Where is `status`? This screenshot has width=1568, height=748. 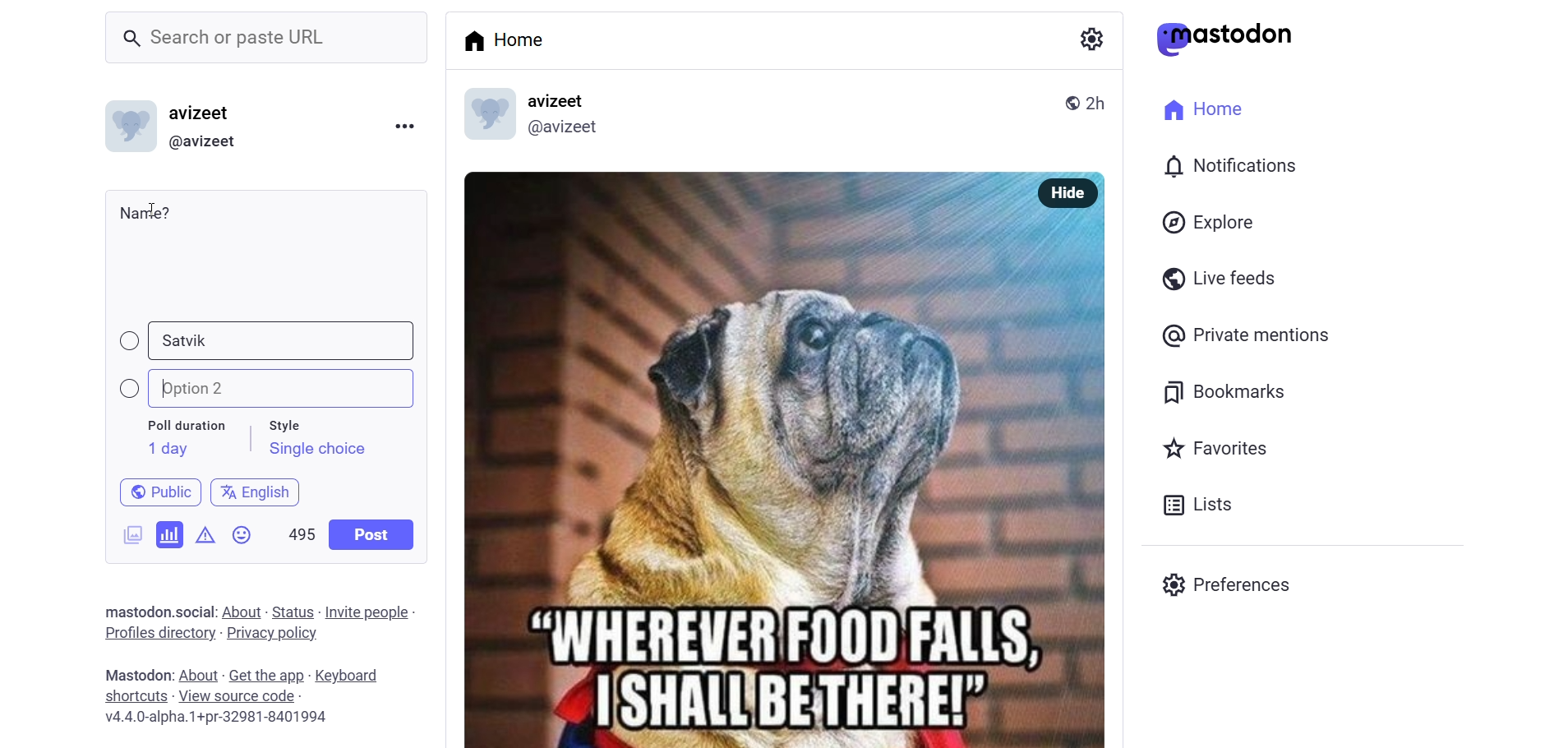 status is located at coordinates (293, 612).